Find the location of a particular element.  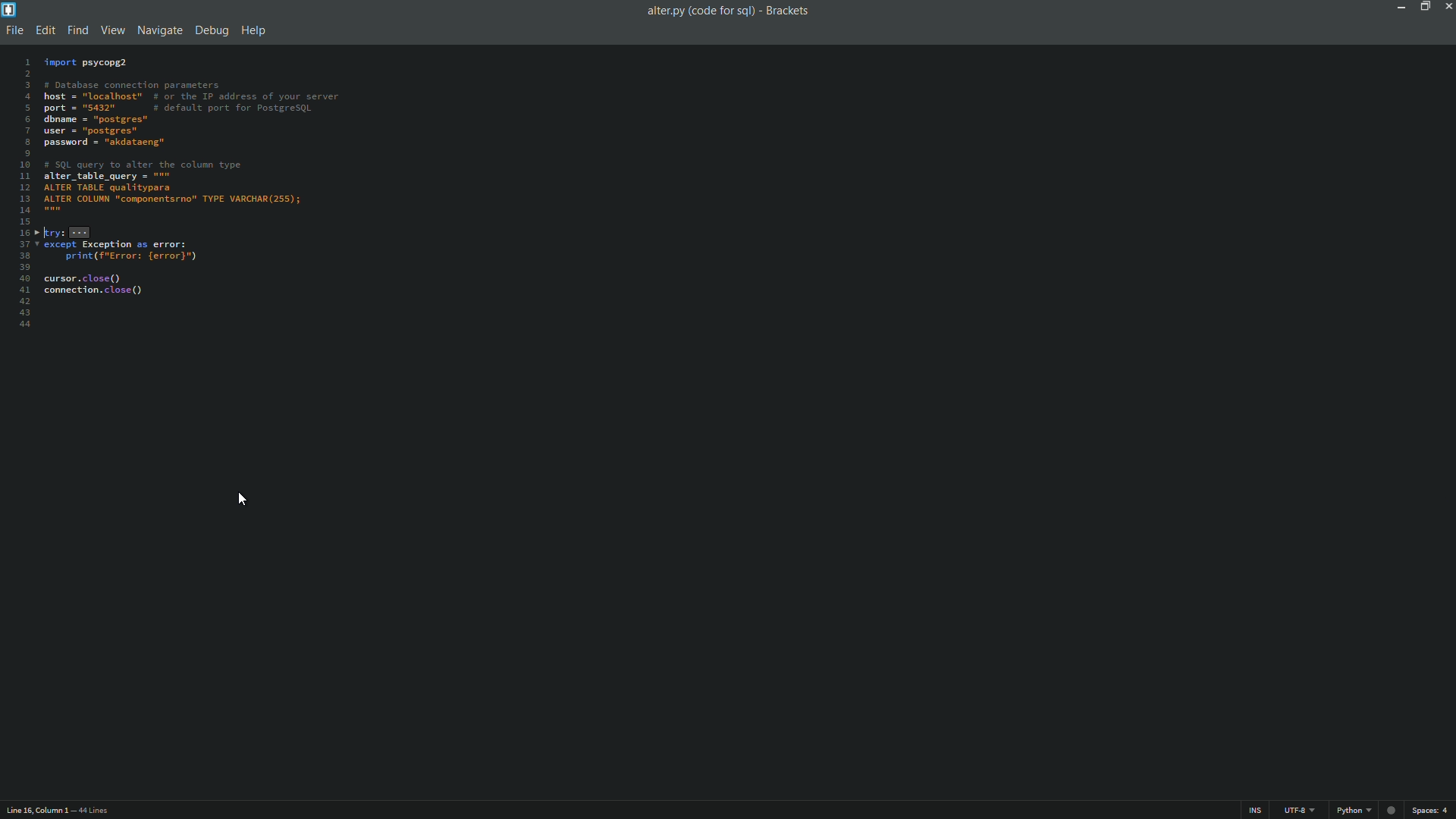

help menu is located at coordinates (254, 30).